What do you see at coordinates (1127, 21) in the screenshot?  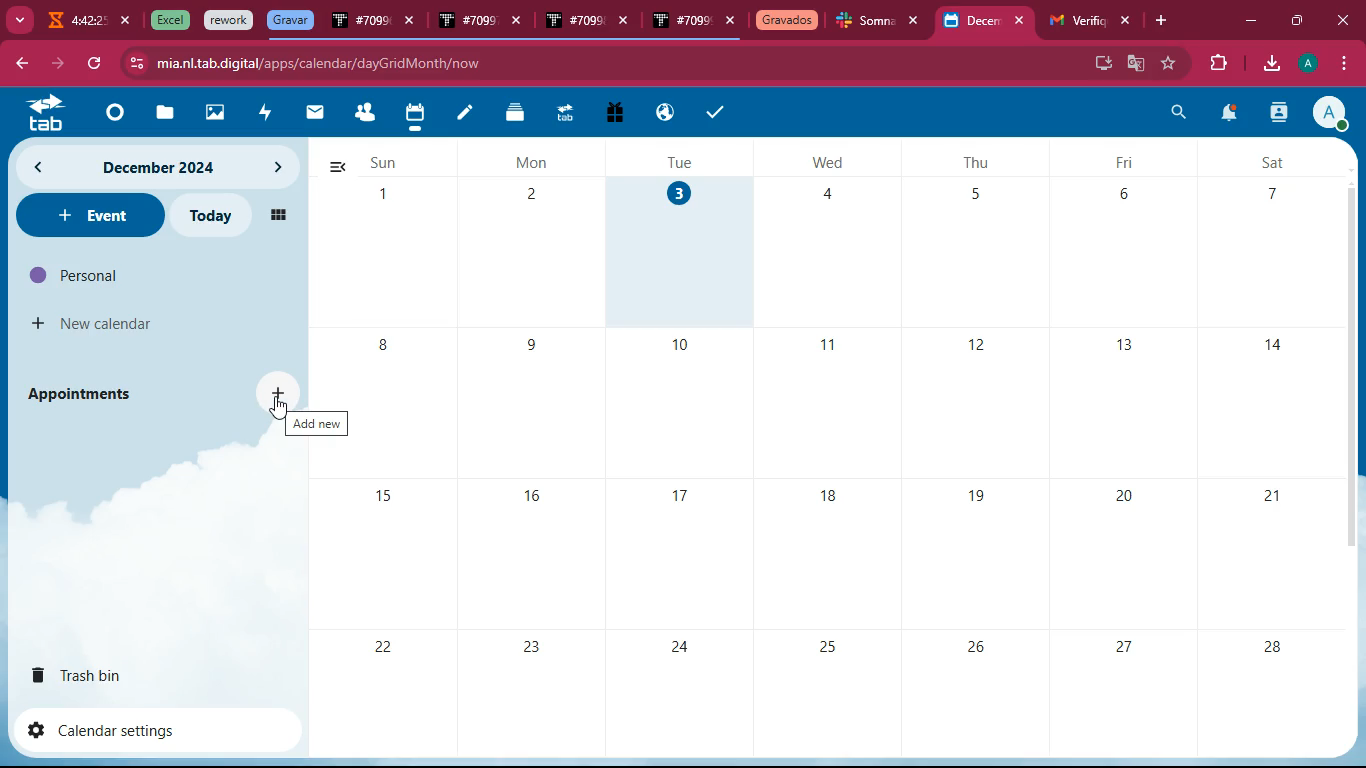 I see `close` at bounding box center [1127, 21].